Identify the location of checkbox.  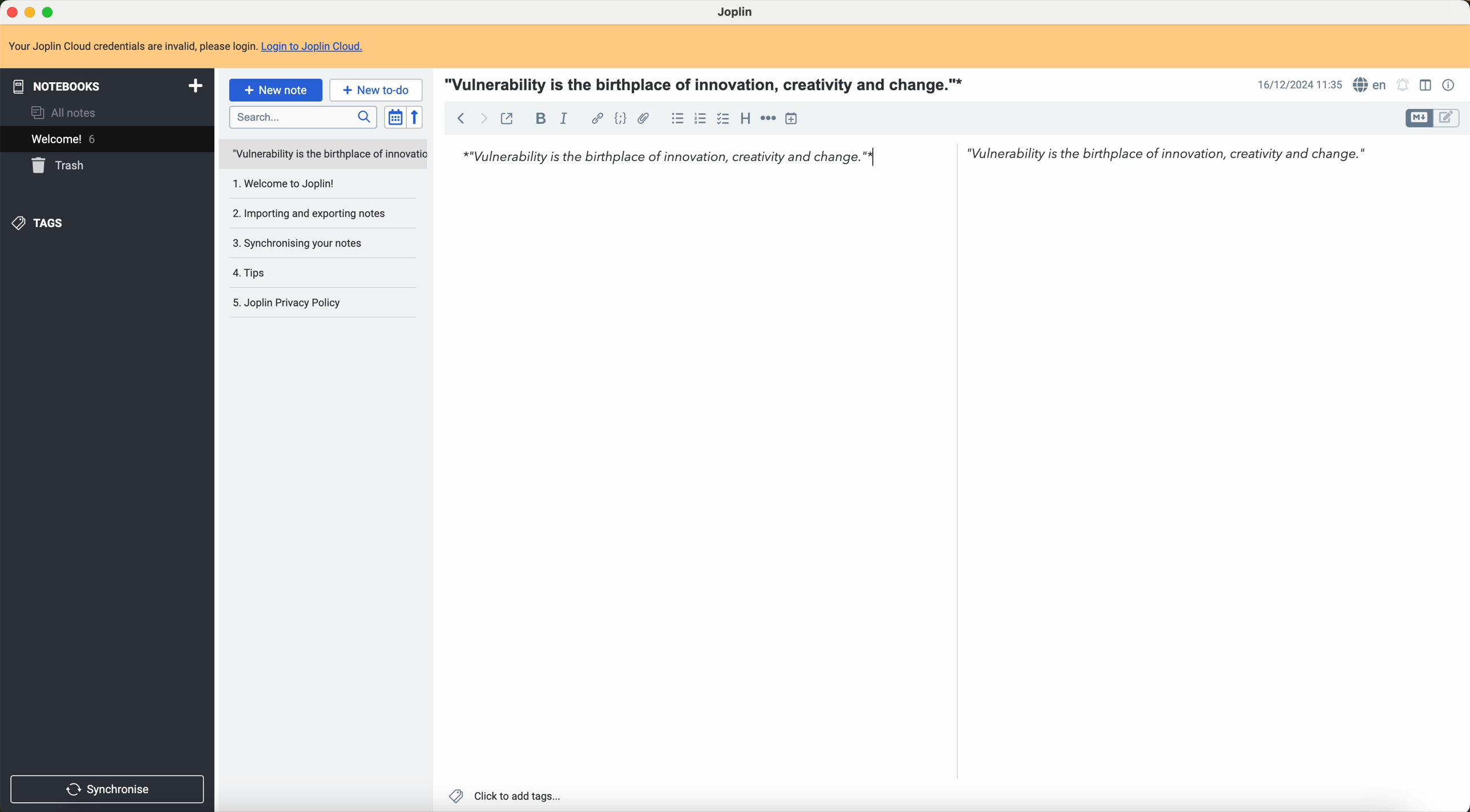
(723, 119).